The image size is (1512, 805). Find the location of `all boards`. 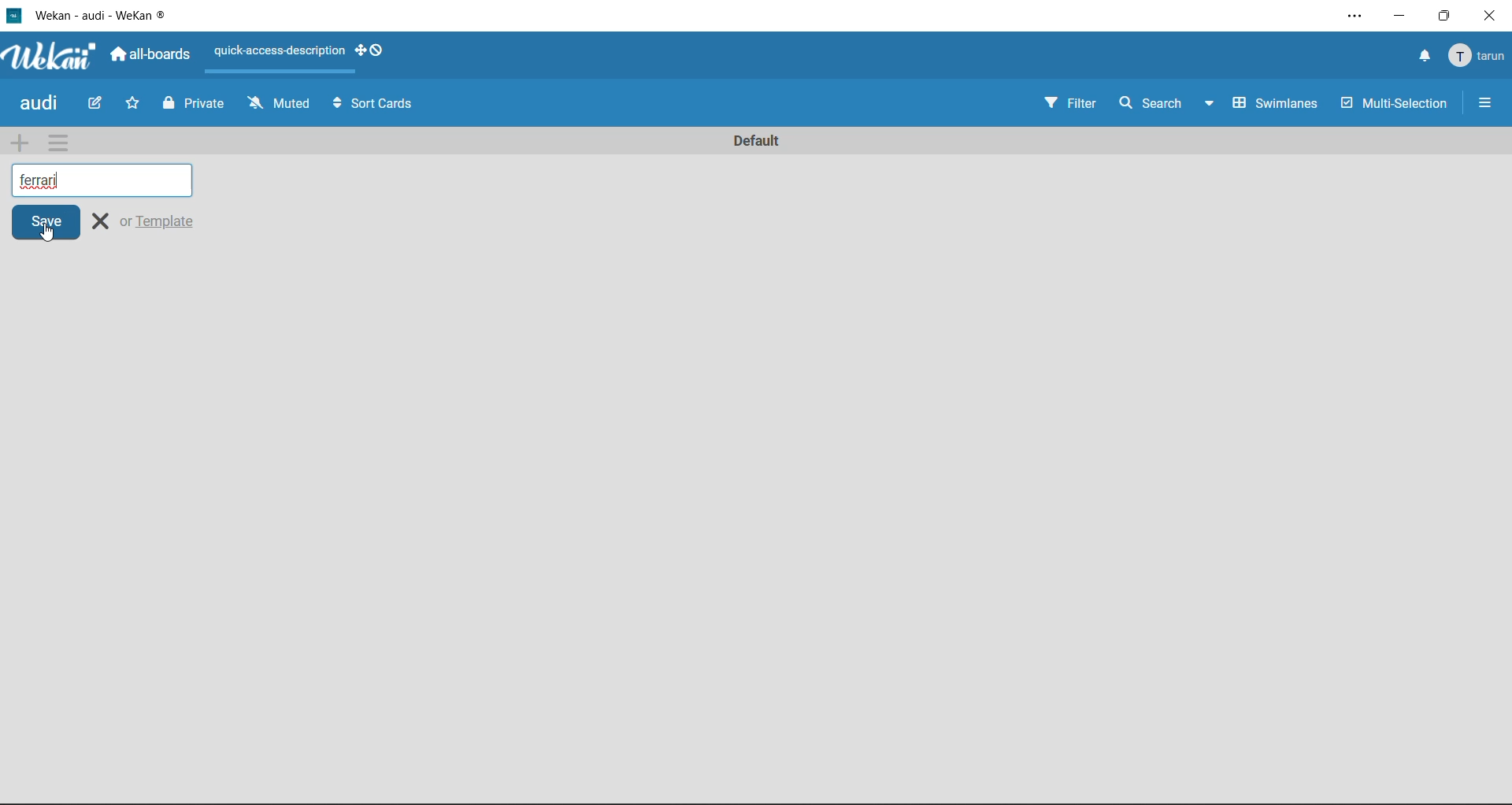

all boards is located at coordinates (150, 54).